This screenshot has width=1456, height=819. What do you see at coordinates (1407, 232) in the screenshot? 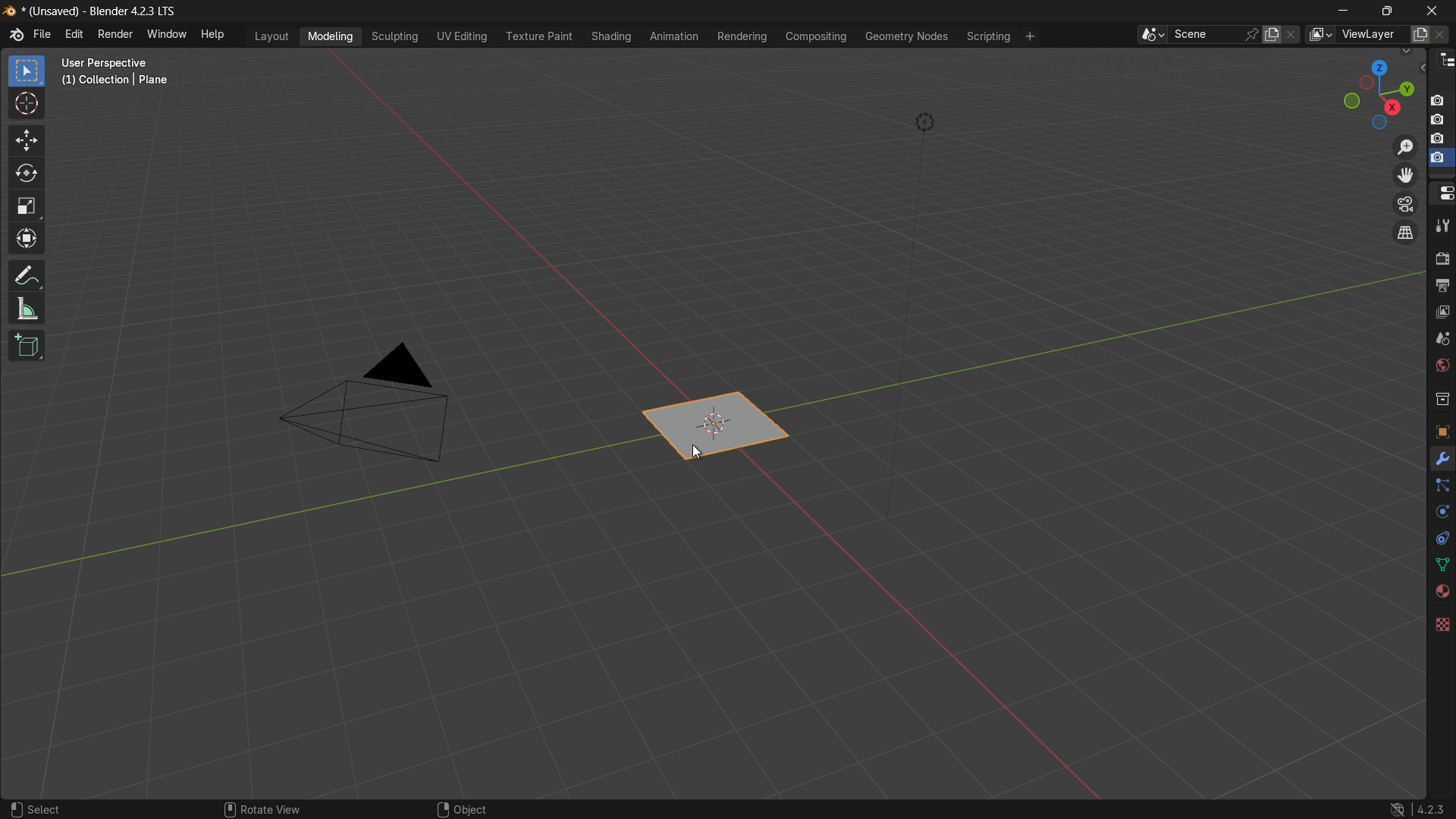
I see `switch the current view` at bounding box center [1407, 232].